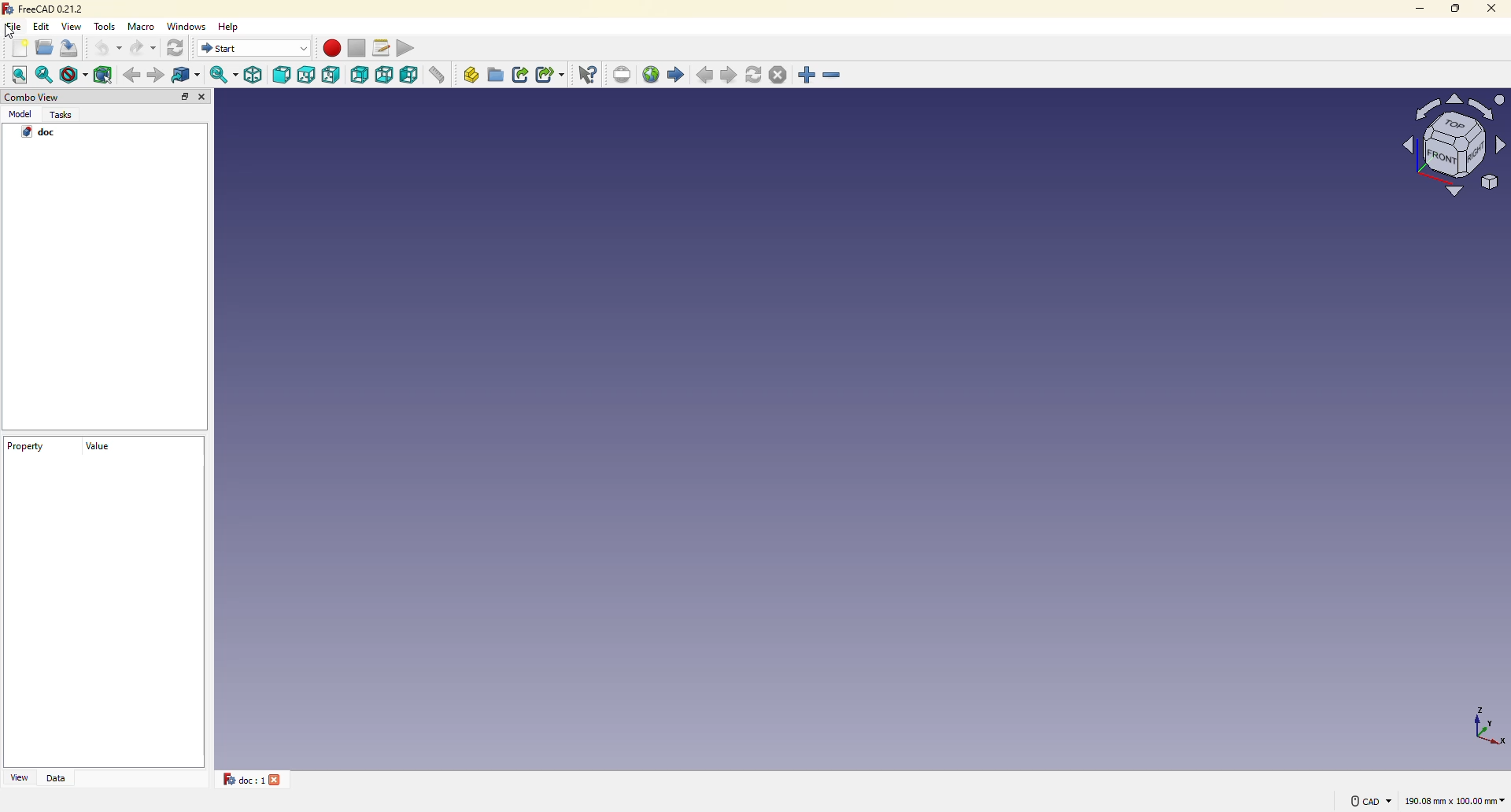  What do you see at coordinates (623, 74) in the screenshot?
I see `set url` at bounding box center [623, 74].